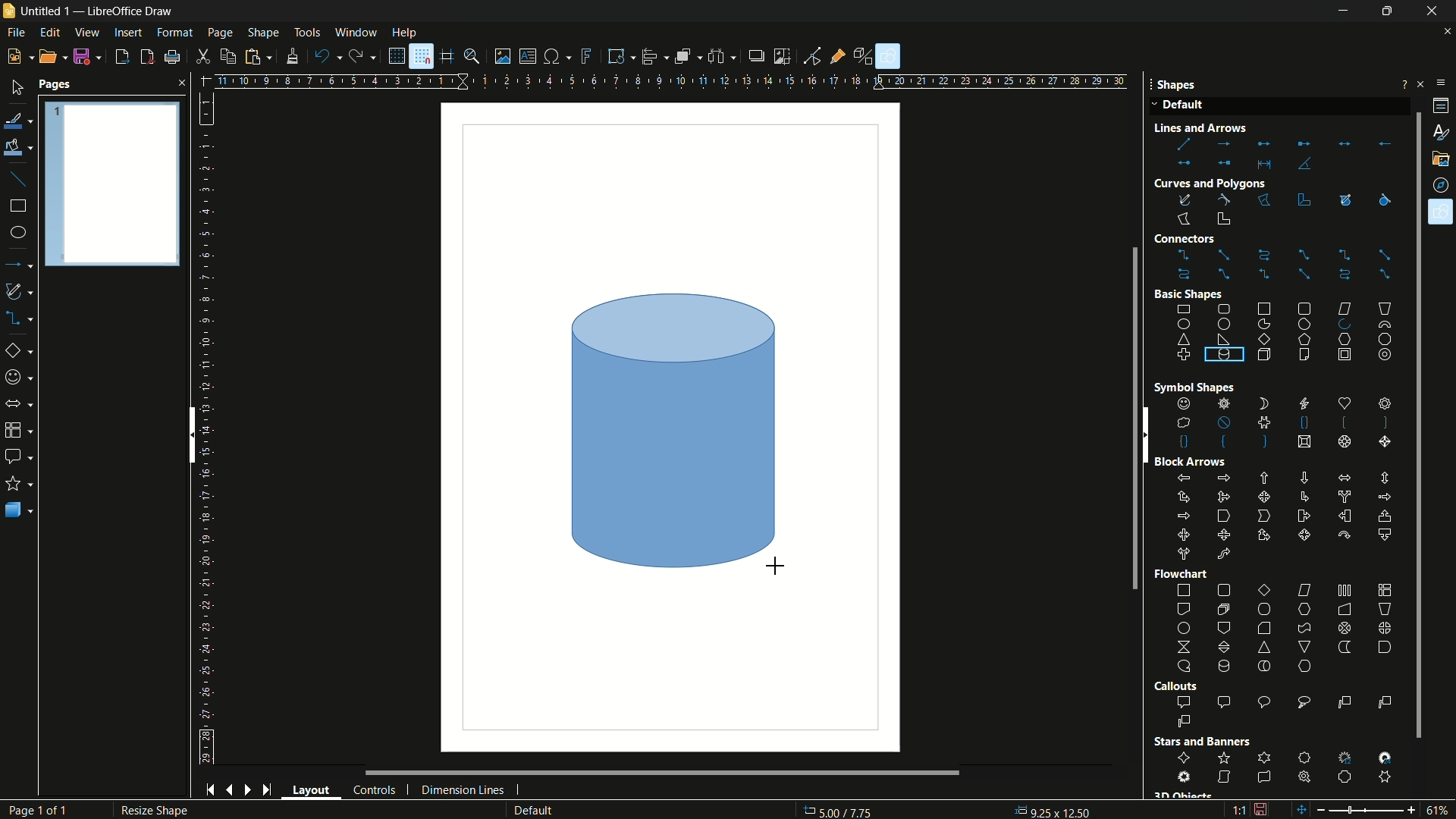  What do you see at coordinates (1182, 795) in the screenshot?
I see `3D Object` at bounding box center [1182, 795].